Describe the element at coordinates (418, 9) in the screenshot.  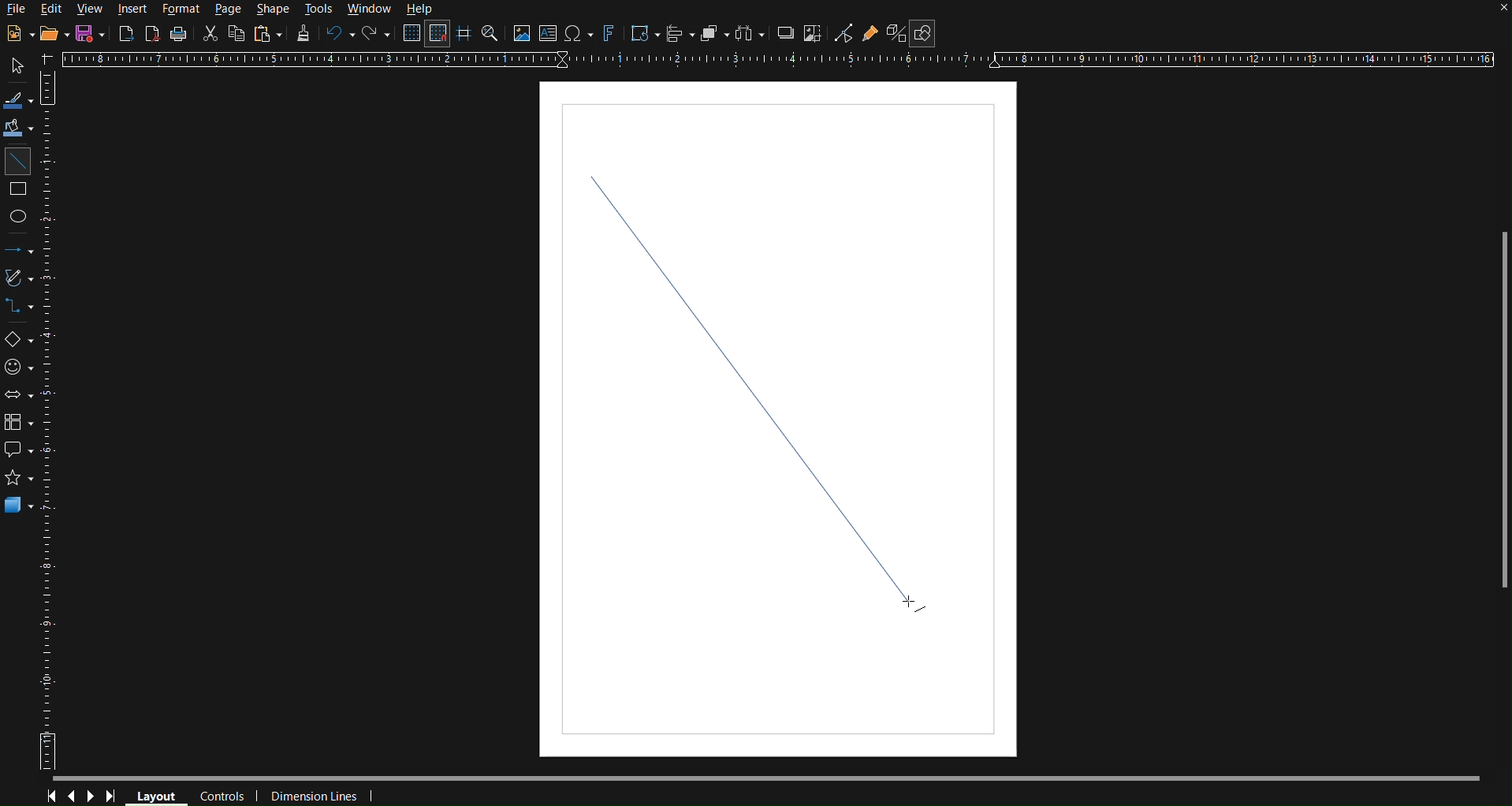
I see `Help` at that location.